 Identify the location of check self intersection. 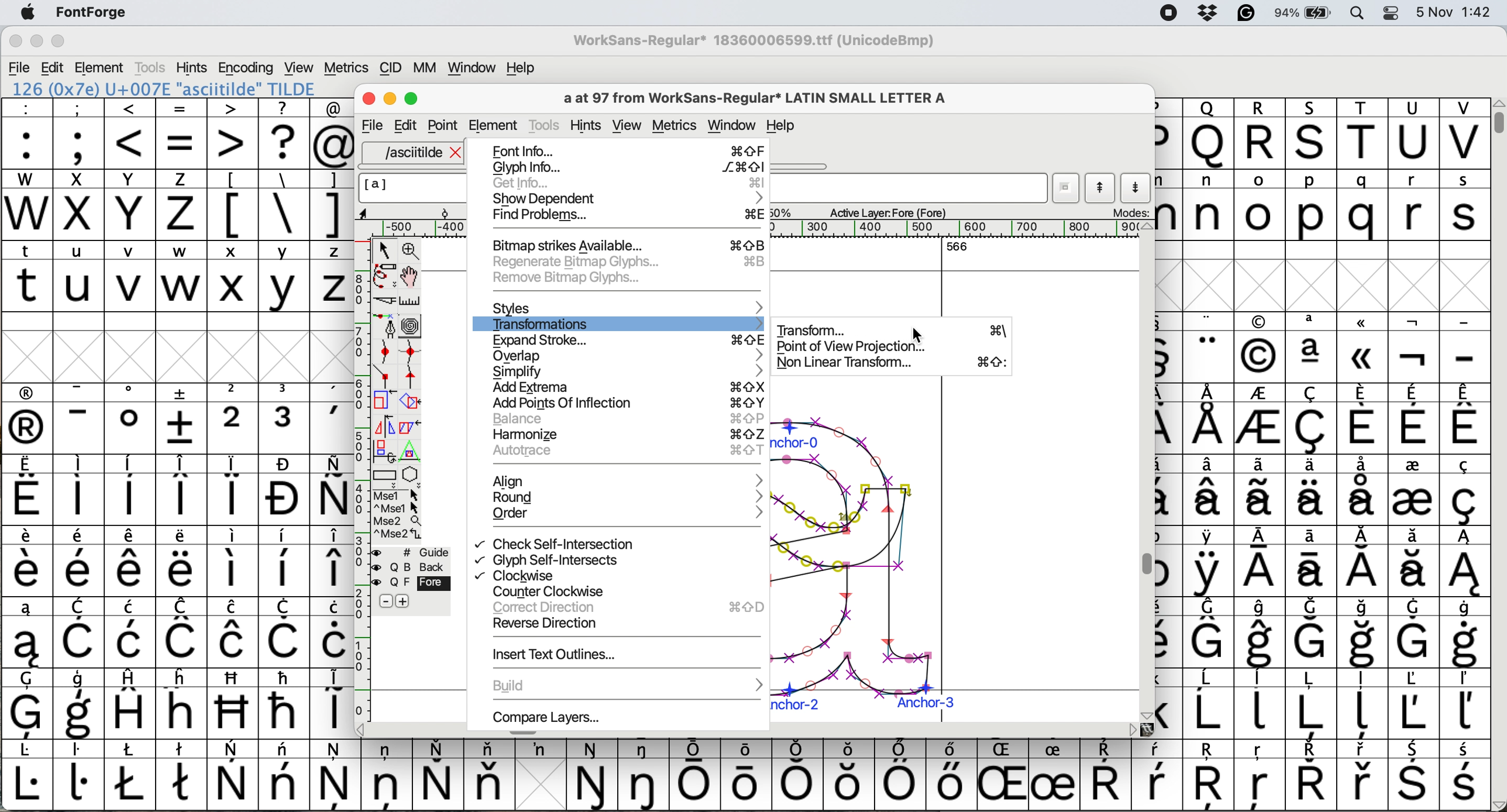
(558, 544).